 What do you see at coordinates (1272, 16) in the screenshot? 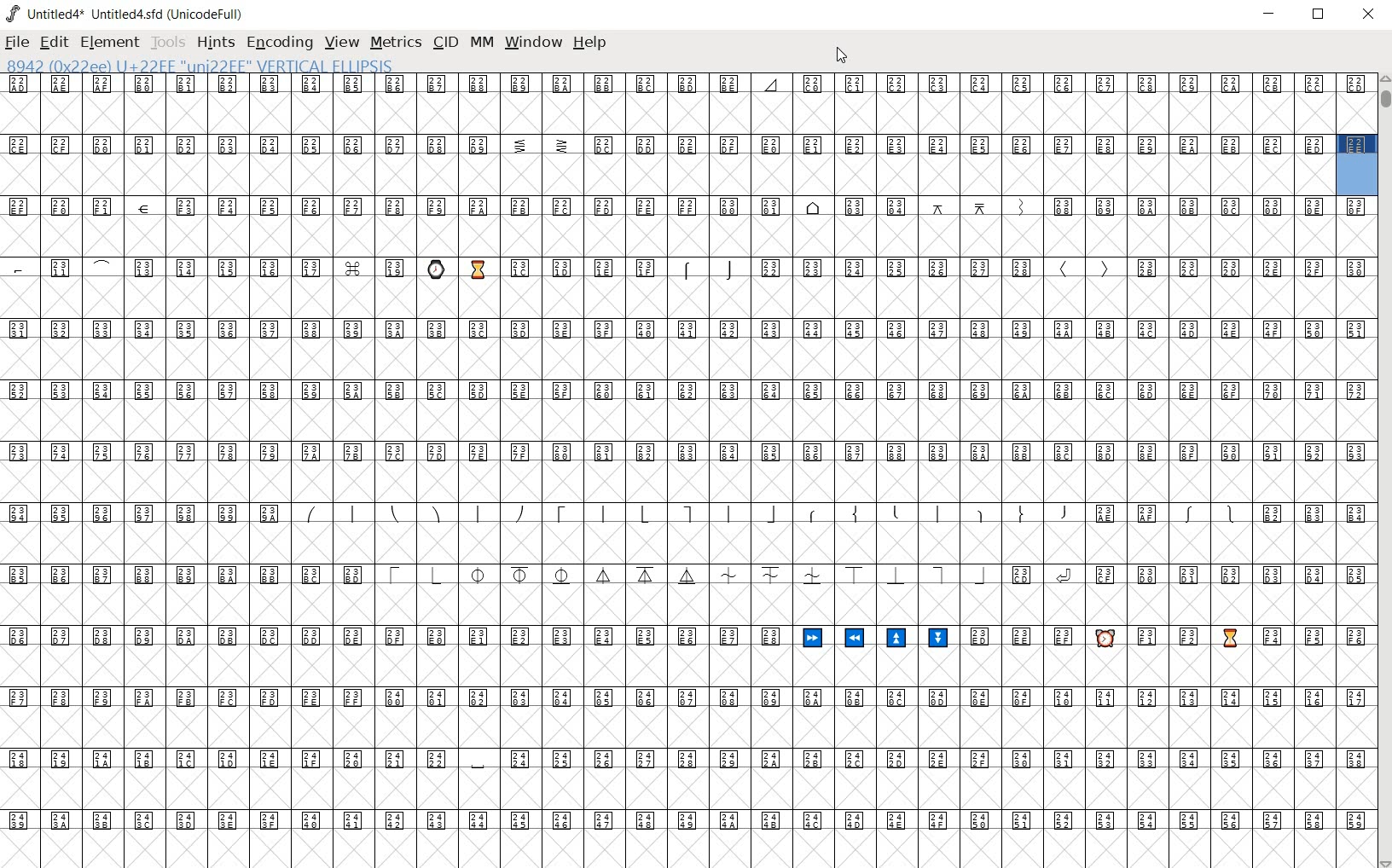
I see `MINIMIZE` at bounding box center [1272, 16].